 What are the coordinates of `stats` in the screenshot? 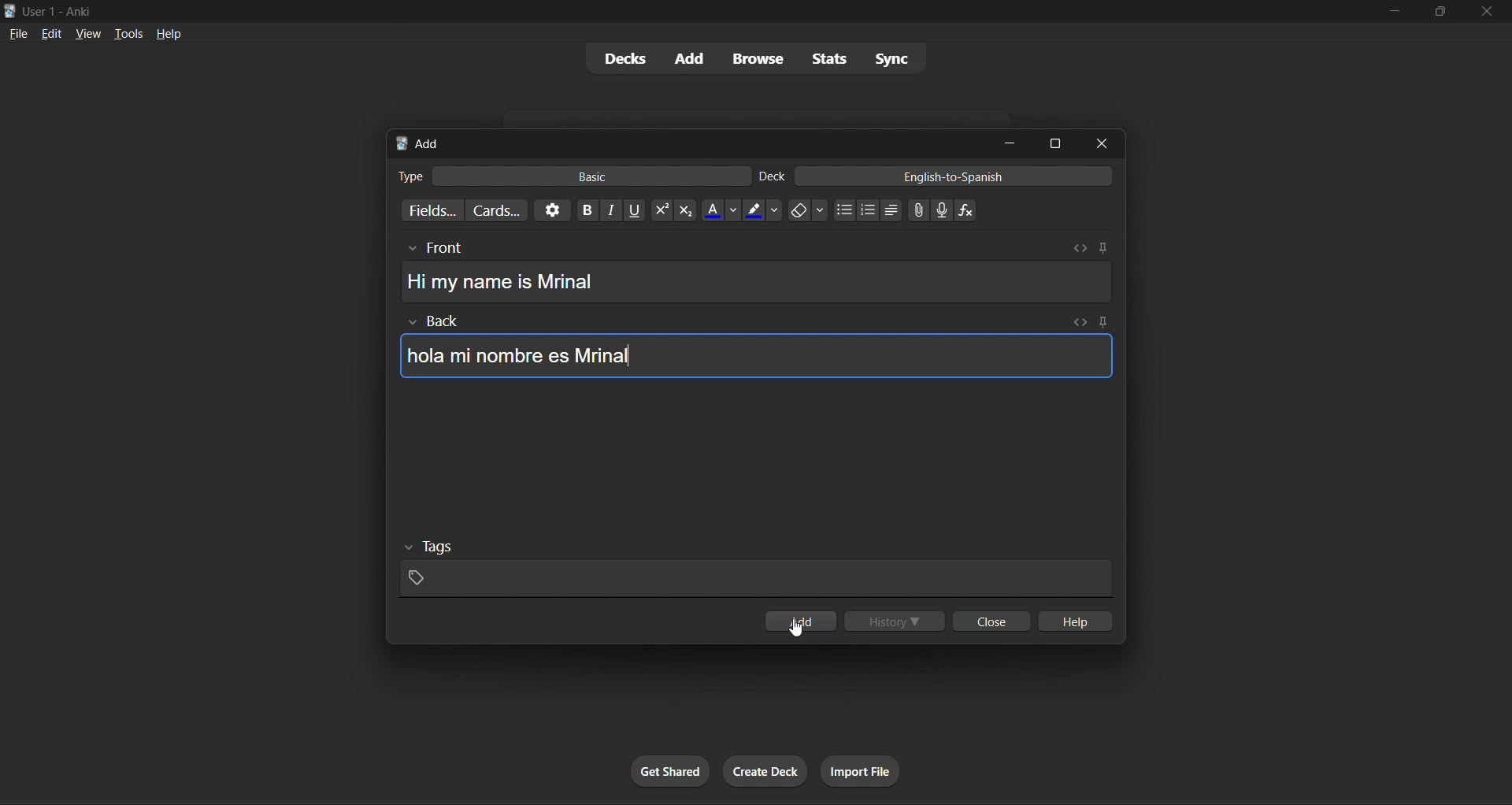 It's located at (824, 58).